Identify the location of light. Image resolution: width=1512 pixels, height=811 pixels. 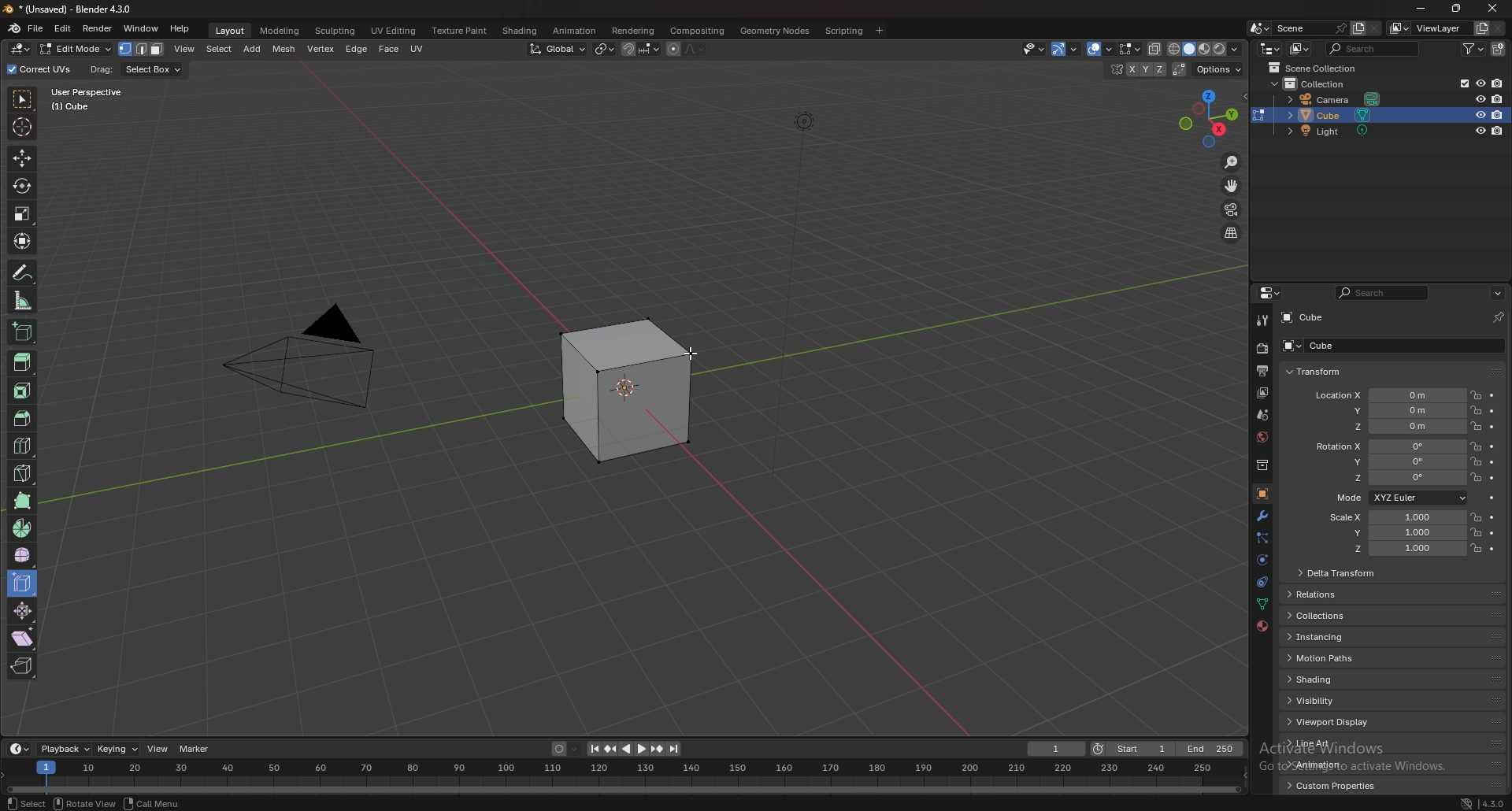
(1336, 133).